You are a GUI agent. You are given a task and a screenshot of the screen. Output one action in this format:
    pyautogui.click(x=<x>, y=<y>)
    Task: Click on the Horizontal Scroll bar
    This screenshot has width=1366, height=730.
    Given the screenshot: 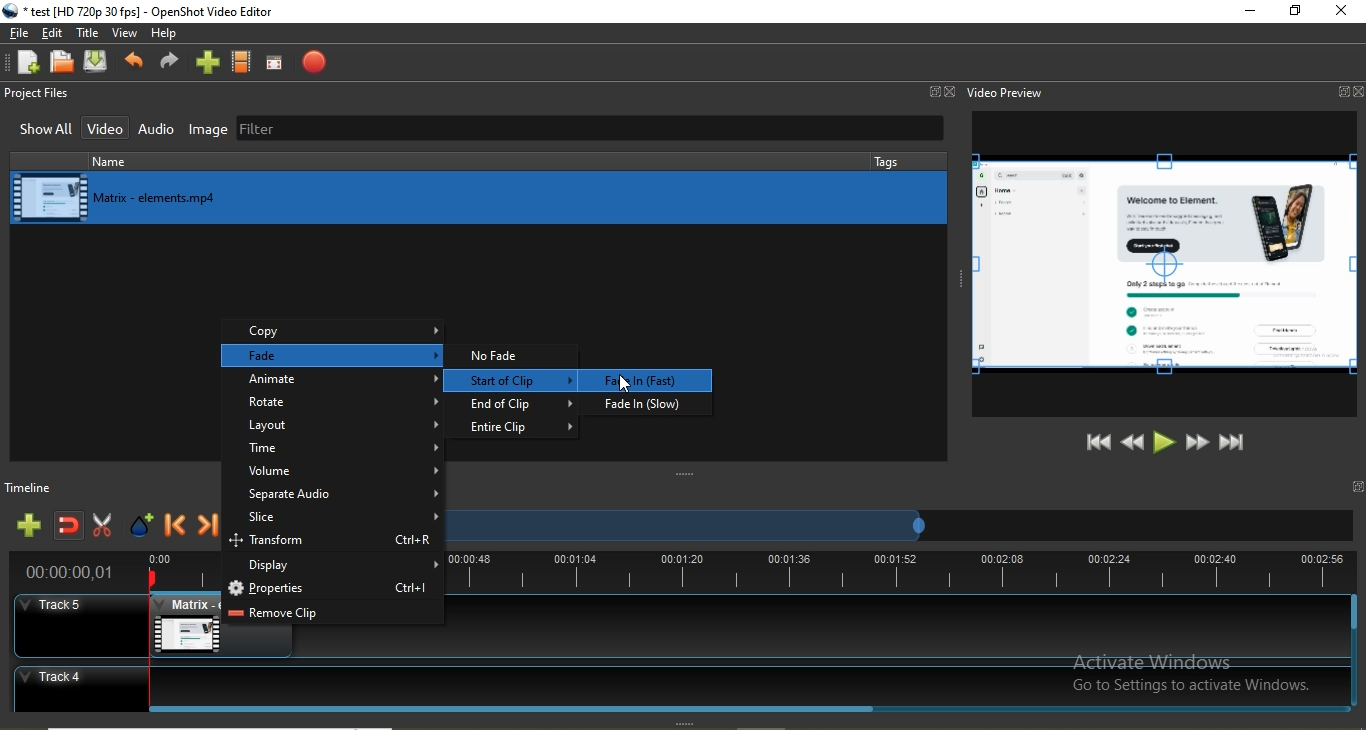 What is the action you would take?
    pyautogui.click(x=520, y=712)
    